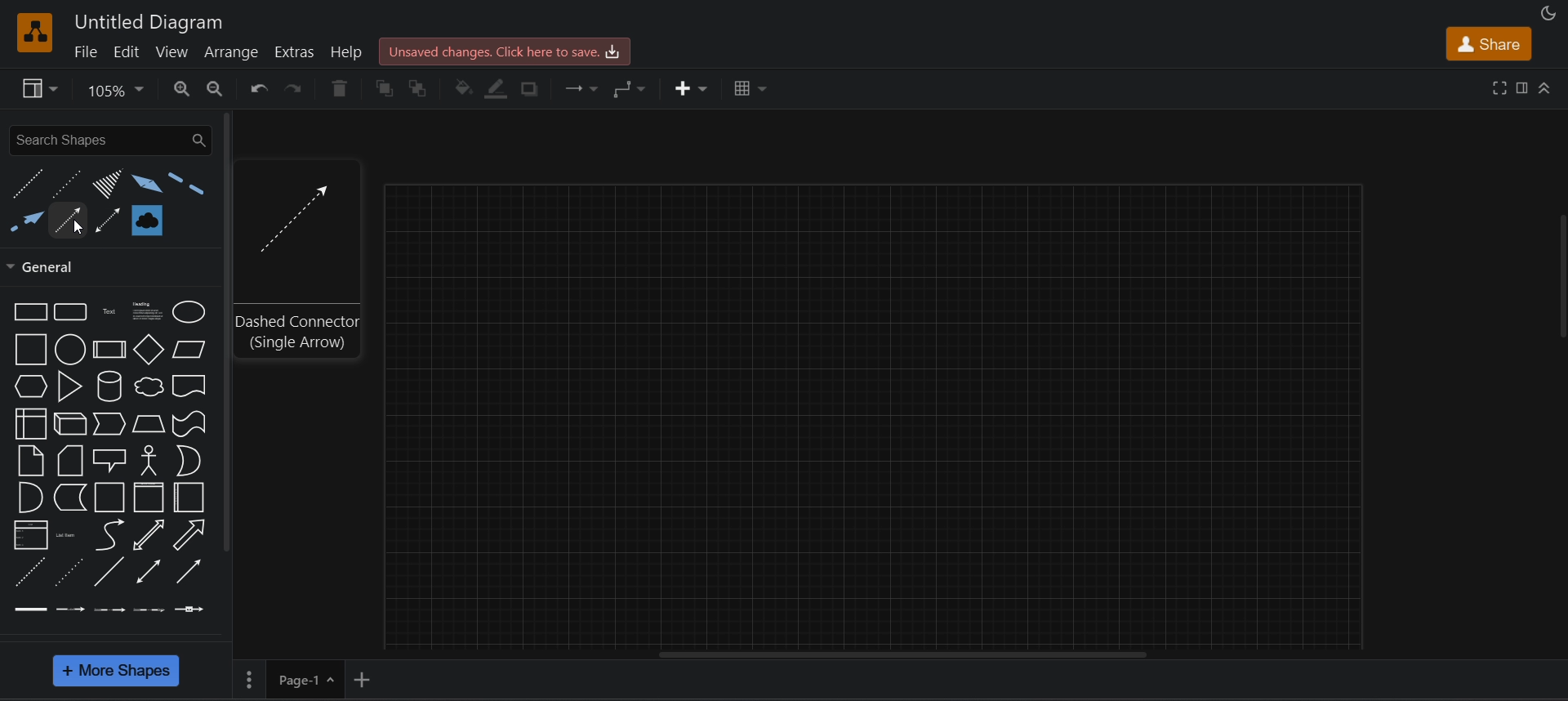 The height and width of the screenshot is (701, 1568). What do you see at coordinates (189, 569) in the screenshot?
I see `directional connector` at bounding box center [189, 569].